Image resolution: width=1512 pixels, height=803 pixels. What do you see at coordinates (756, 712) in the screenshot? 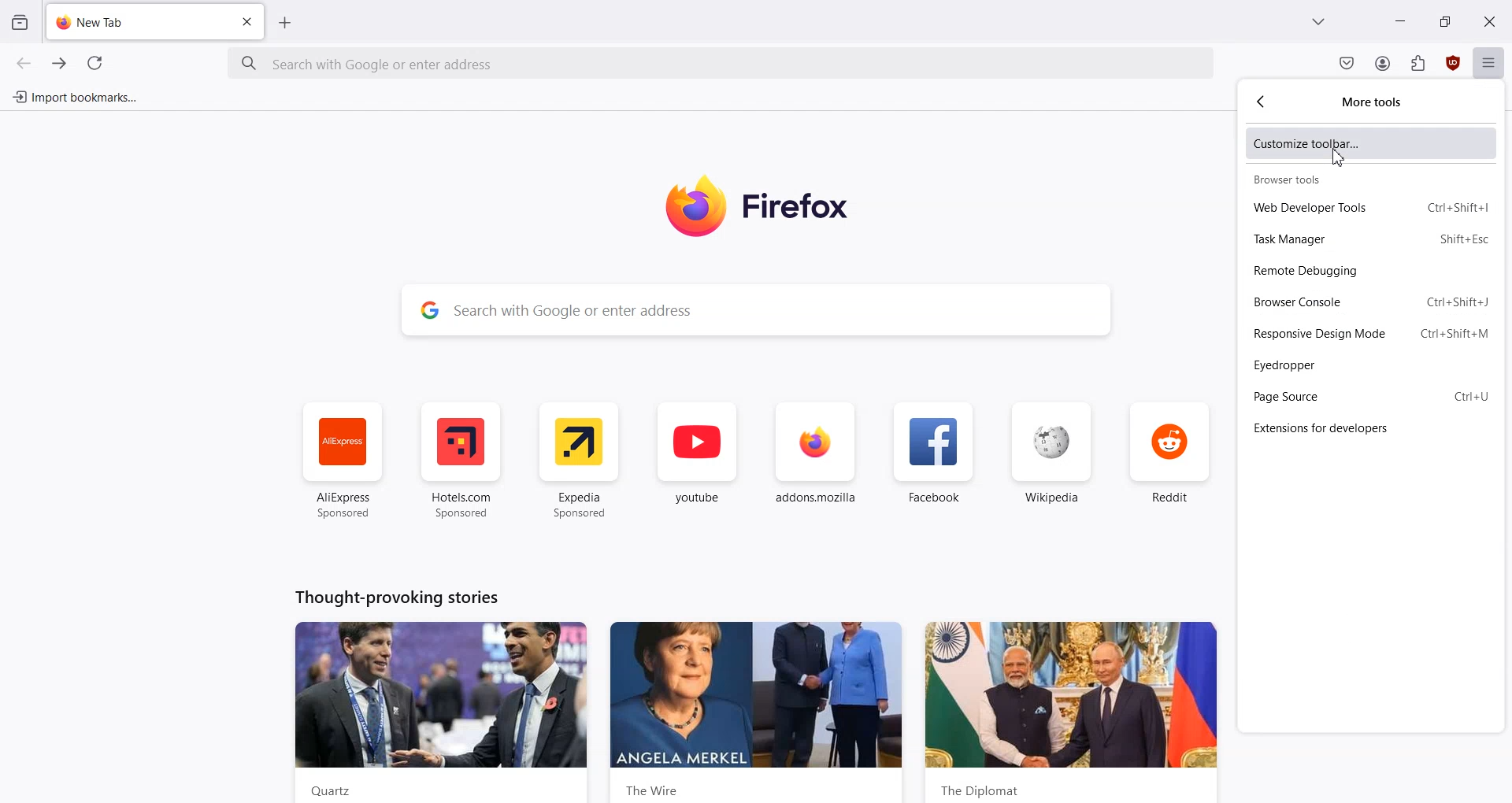
I see `News` at bounding box center [756, 712].